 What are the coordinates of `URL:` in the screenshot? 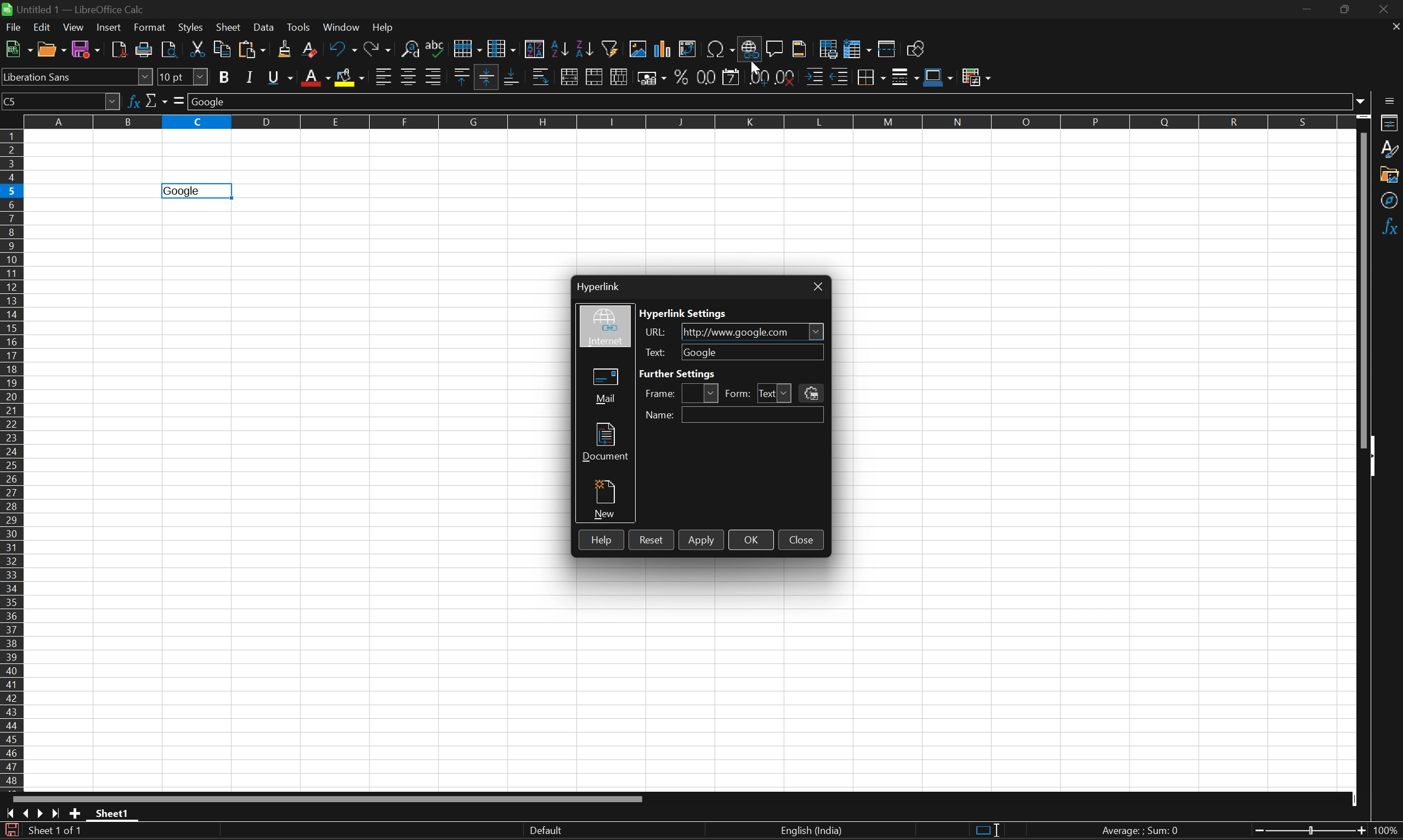 It's located at (658, 333).